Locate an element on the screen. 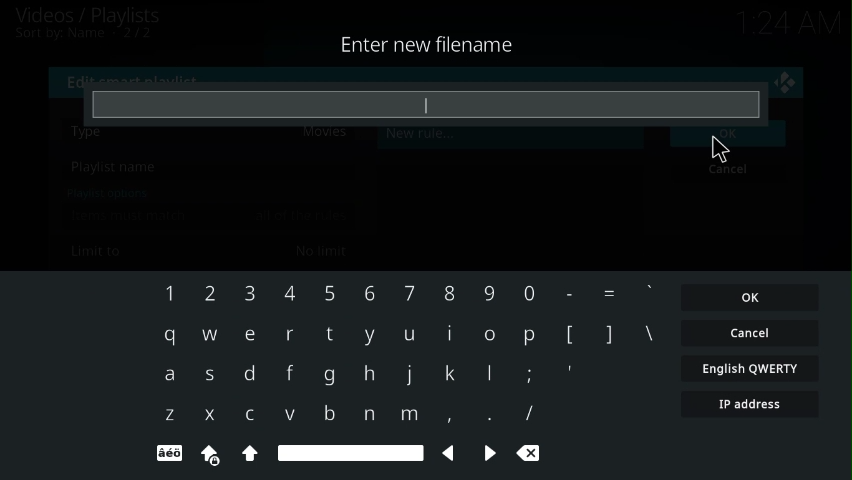 The height and width of the screenshot is (480, 852). playlist options is located at coordinates (109, 191).